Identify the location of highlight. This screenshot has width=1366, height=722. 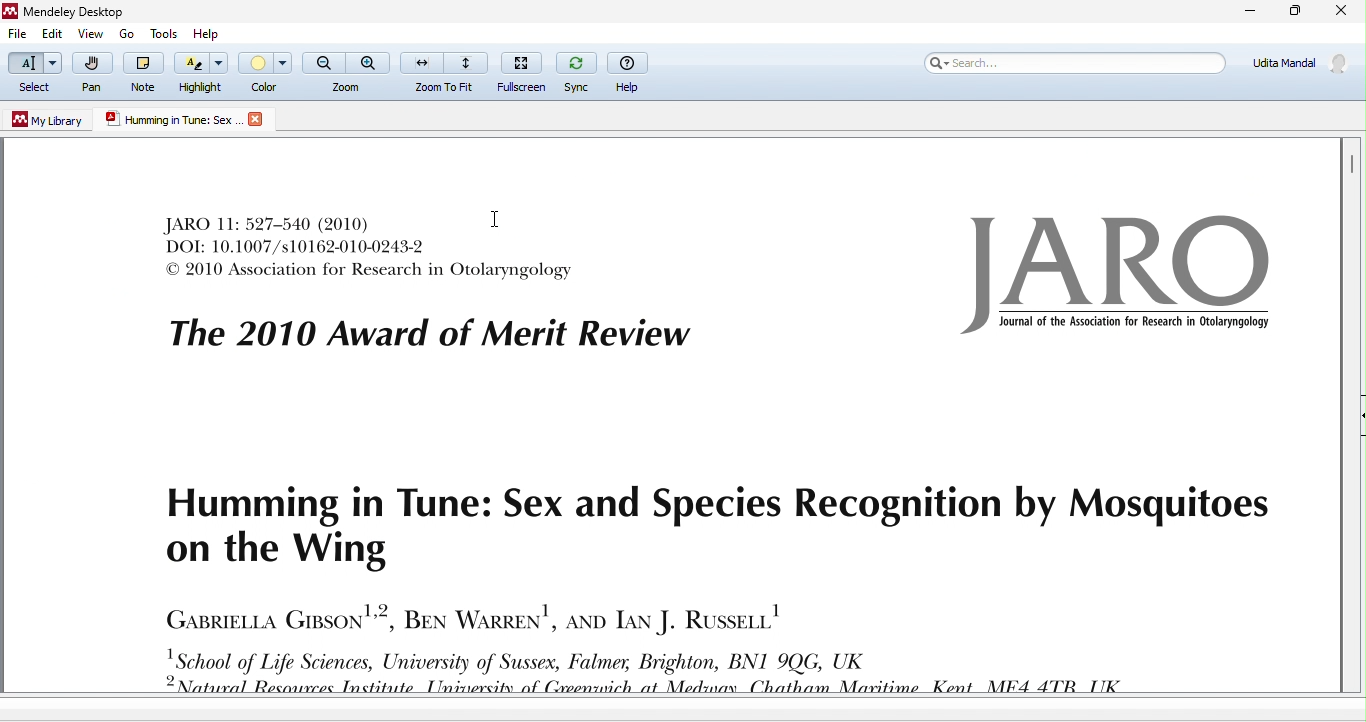
(202, 73).